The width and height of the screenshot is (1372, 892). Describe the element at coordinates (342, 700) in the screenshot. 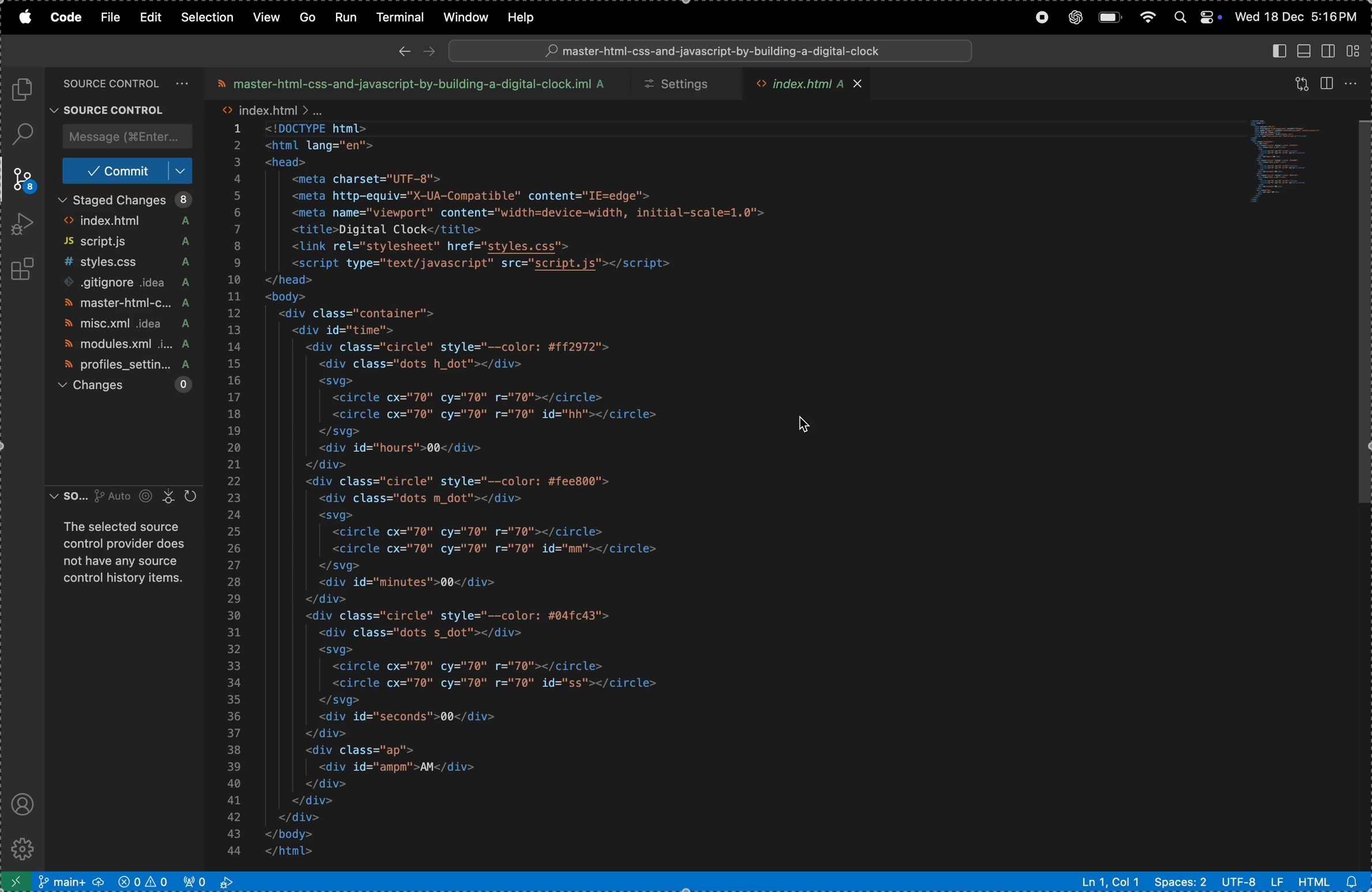

I see `</svg>` at that location.